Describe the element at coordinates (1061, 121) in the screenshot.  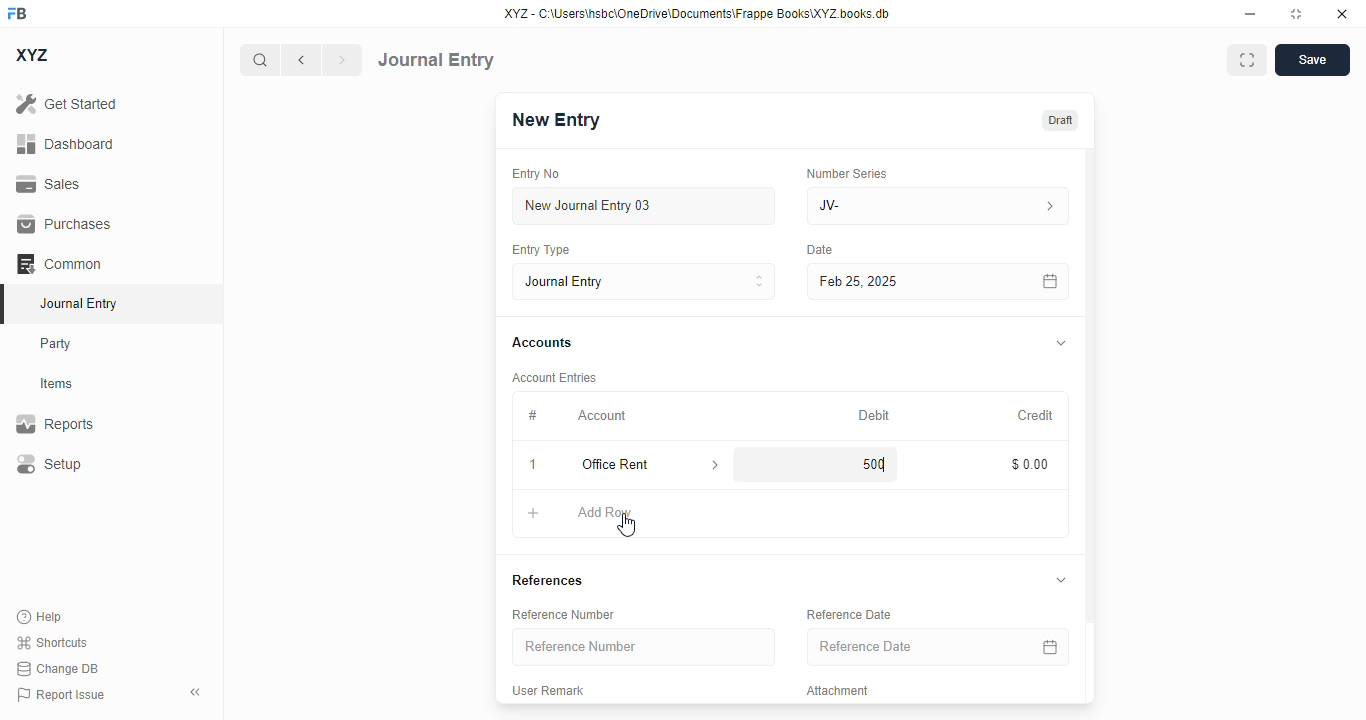
I see `draft` at that location.